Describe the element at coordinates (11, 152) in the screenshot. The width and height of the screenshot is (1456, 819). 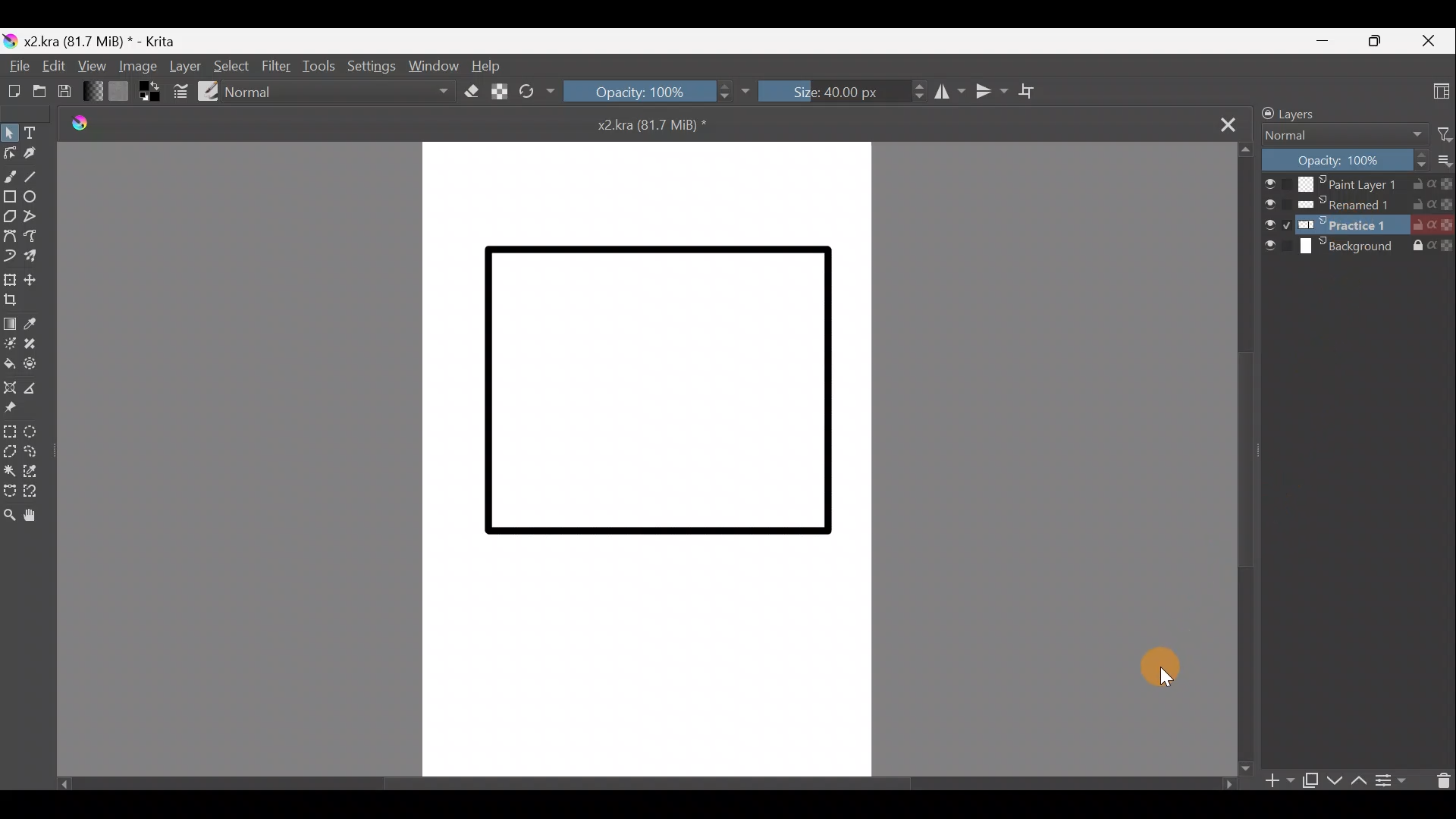
I see `Edit shapes tool` at that location.